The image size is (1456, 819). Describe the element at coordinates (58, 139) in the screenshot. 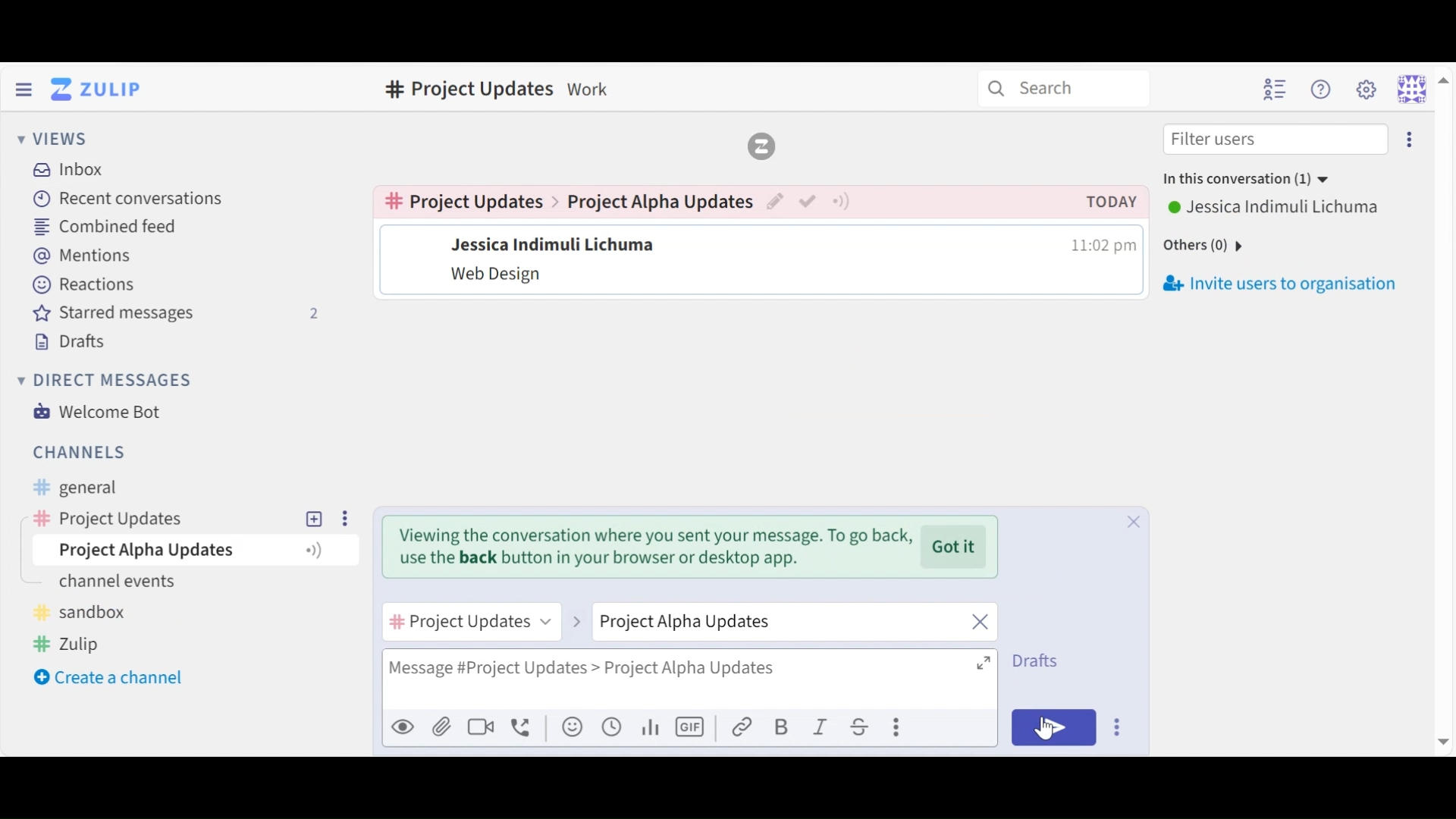

I see `Views` at that location.